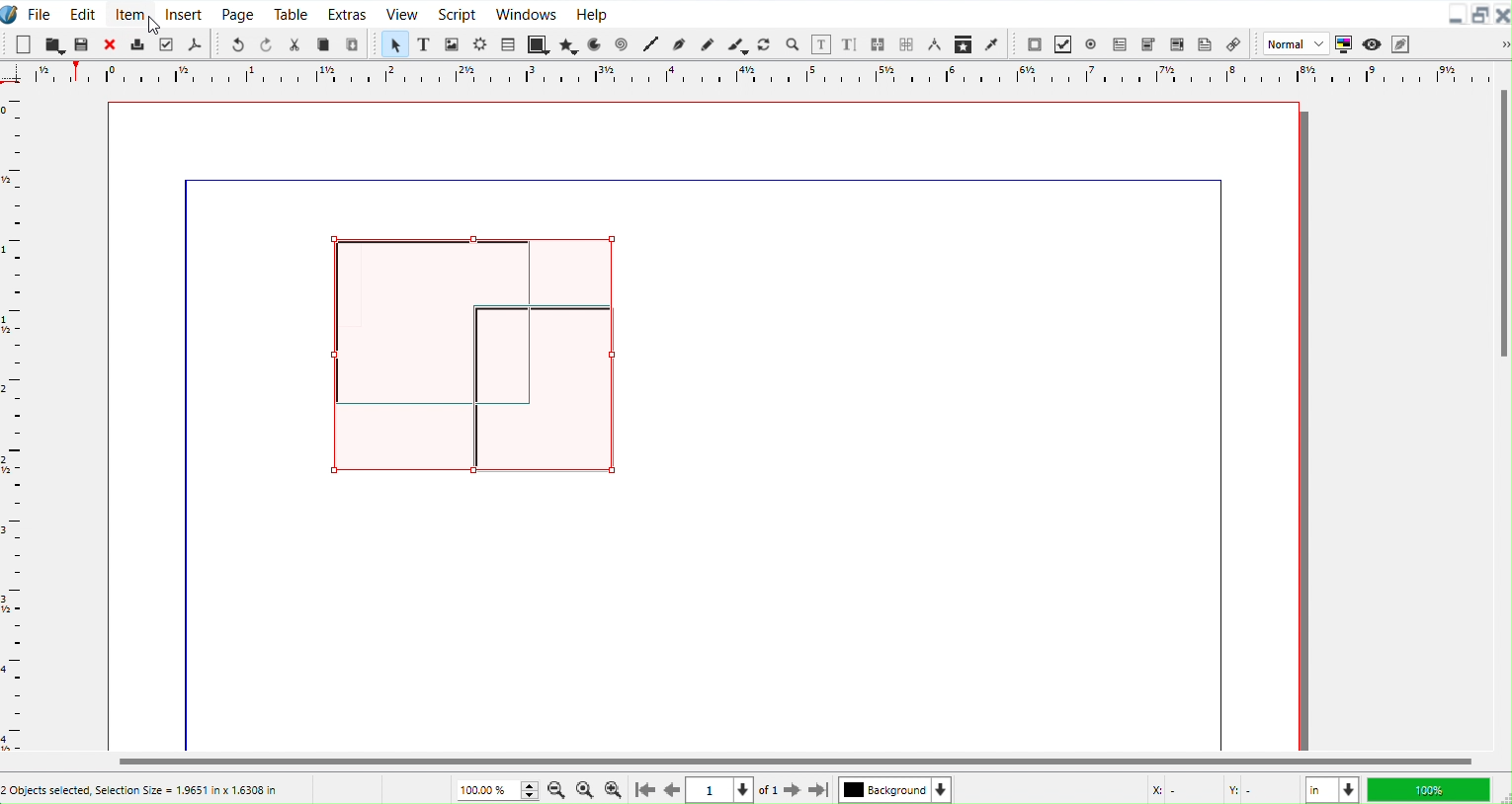 The image size is (1512, 804). Describe the element at coordinates (1034, 44) in the screenshot. I see `PDF Push Button` at that location.